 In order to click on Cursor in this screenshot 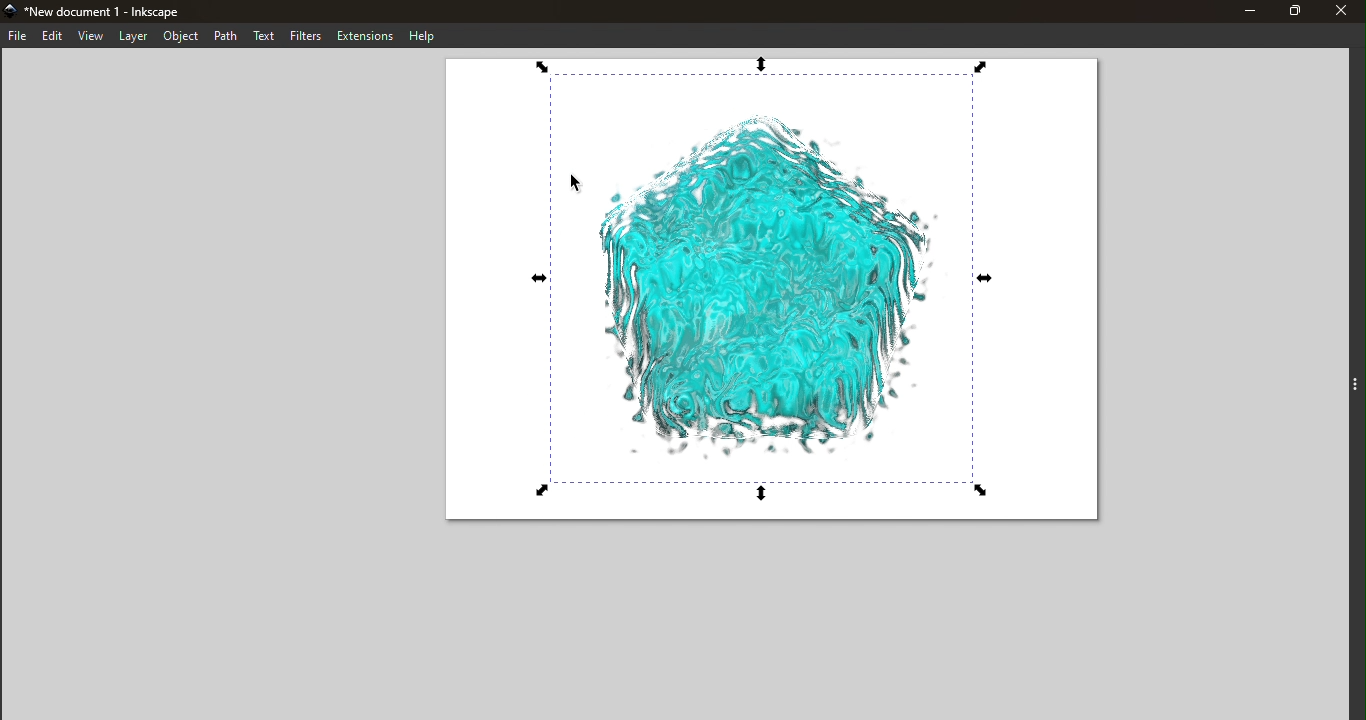, I will do `click(574, 185)`.